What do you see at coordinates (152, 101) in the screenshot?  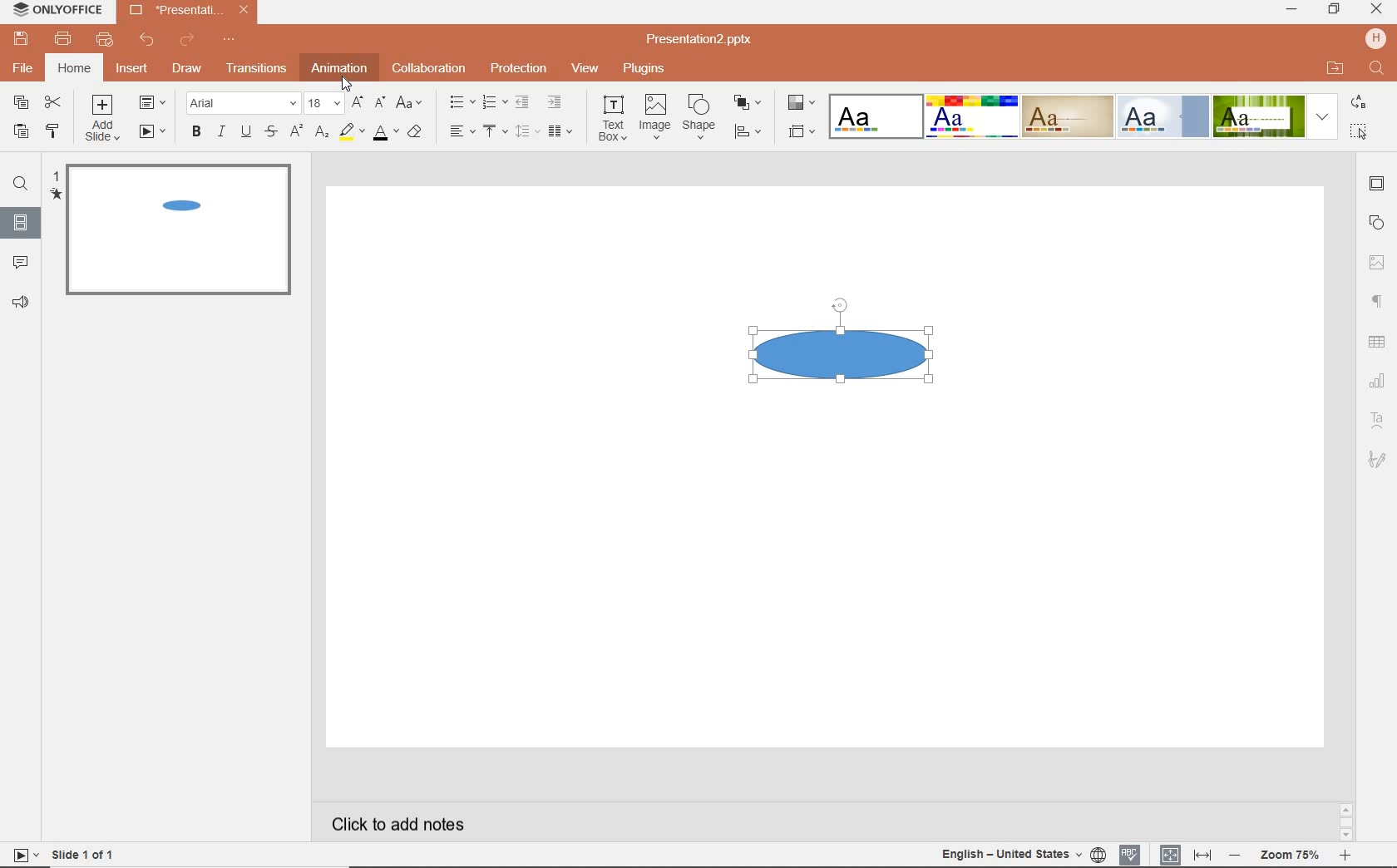 I see `CHANGE SLIDE LAYOUT` at bounding box center [152, 101].